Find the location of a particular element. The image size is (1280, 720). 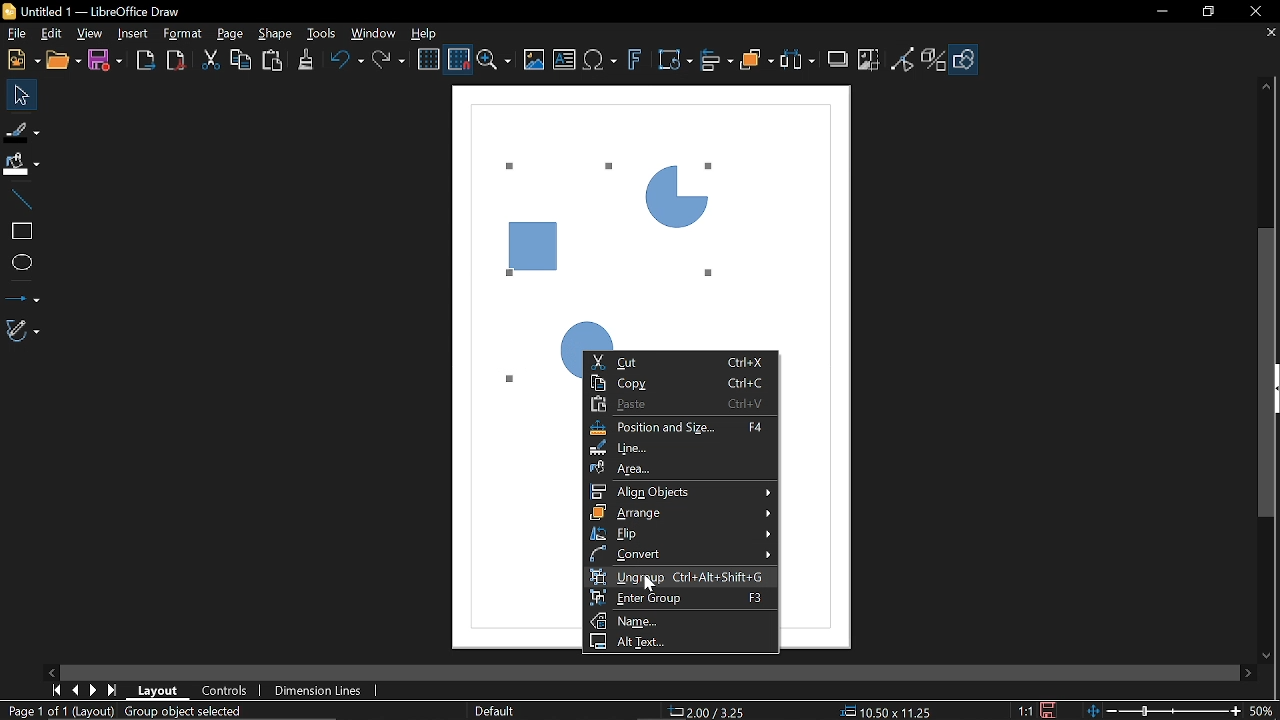

Paste is located at coordinates (275, 61).